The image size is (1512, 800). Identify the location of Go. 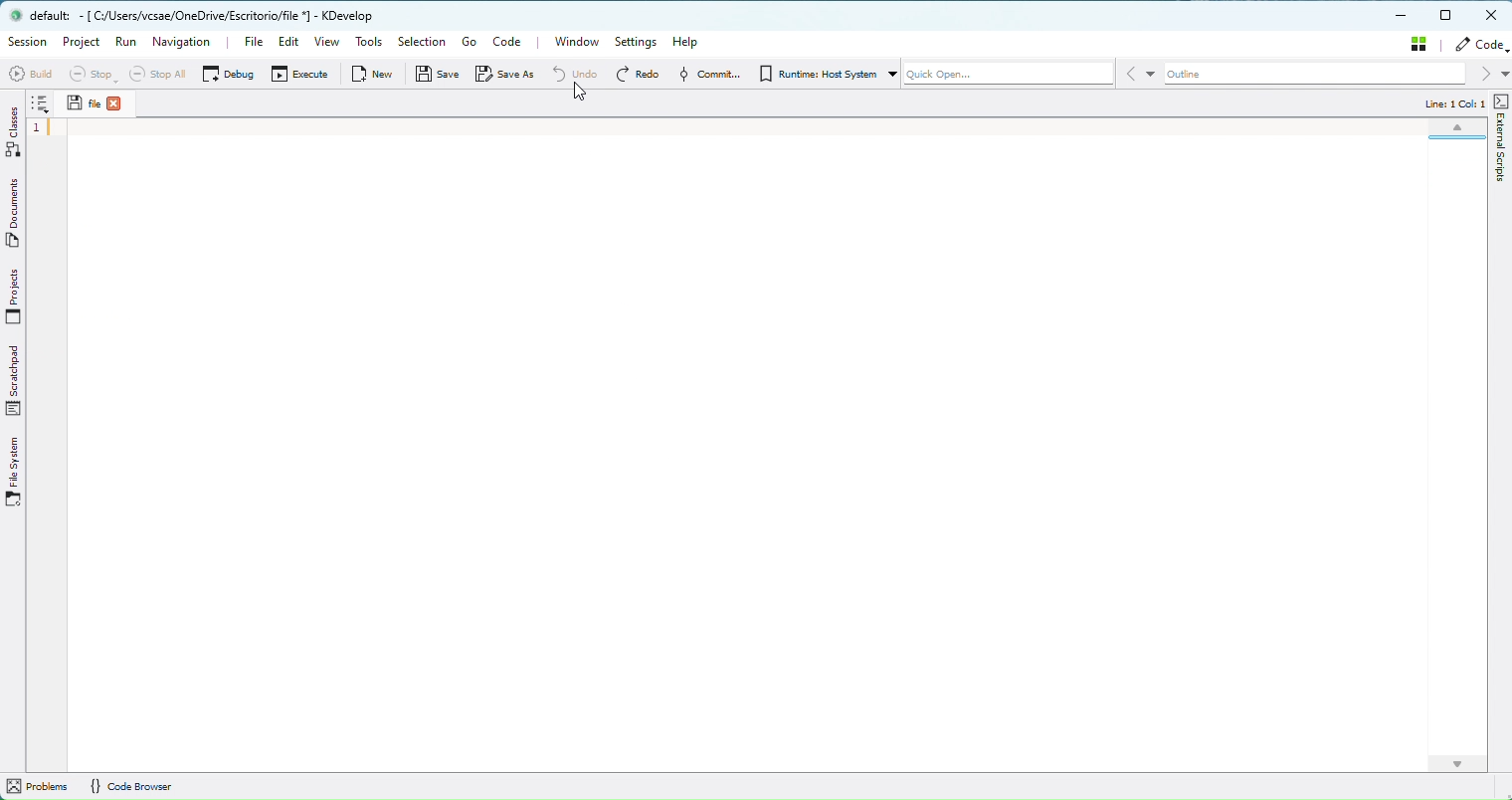
(467, 42).